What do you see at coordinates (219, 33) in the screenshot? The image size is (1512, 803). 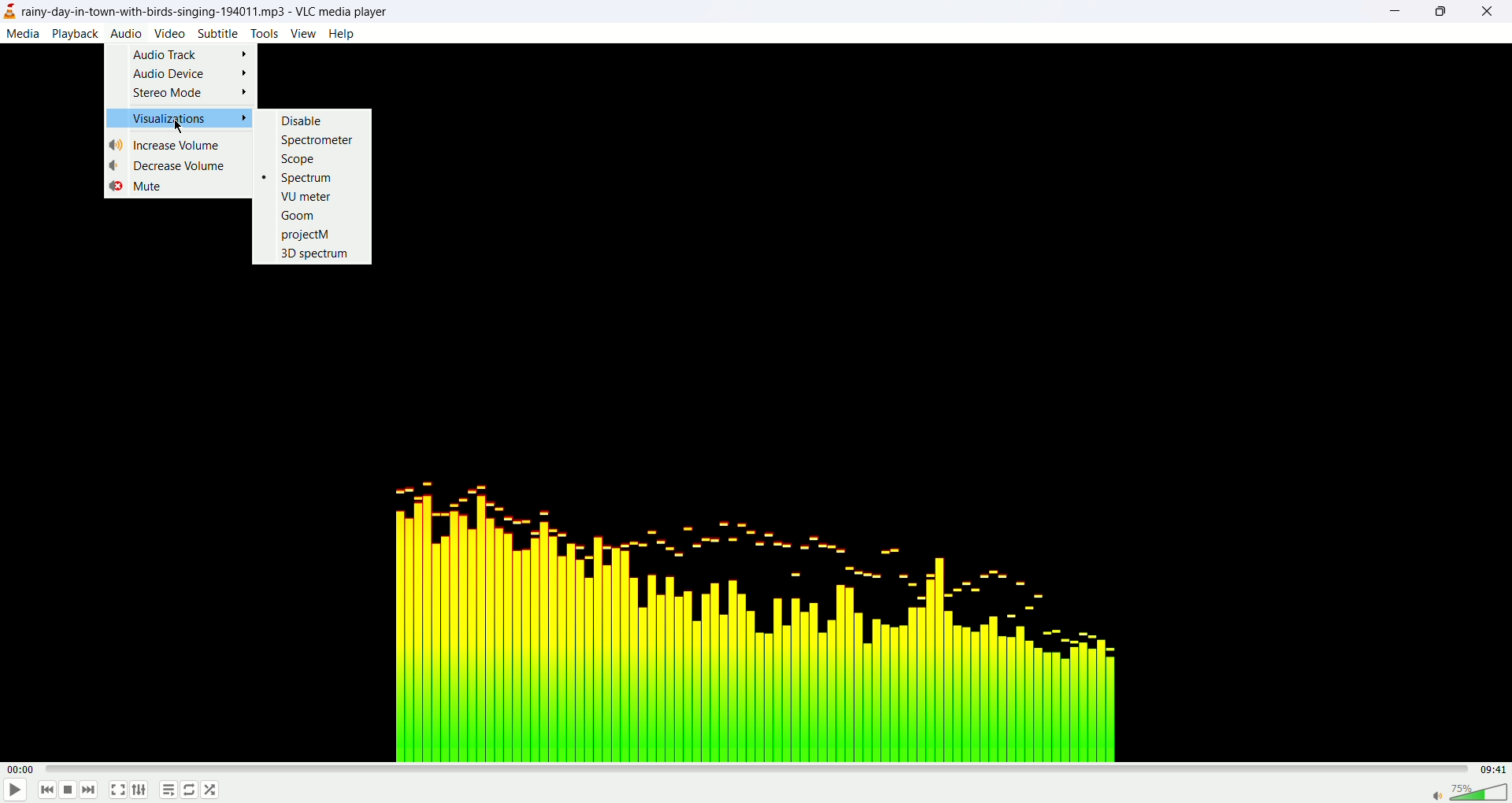 I see `subtitle` at bounding box center [219, 33].